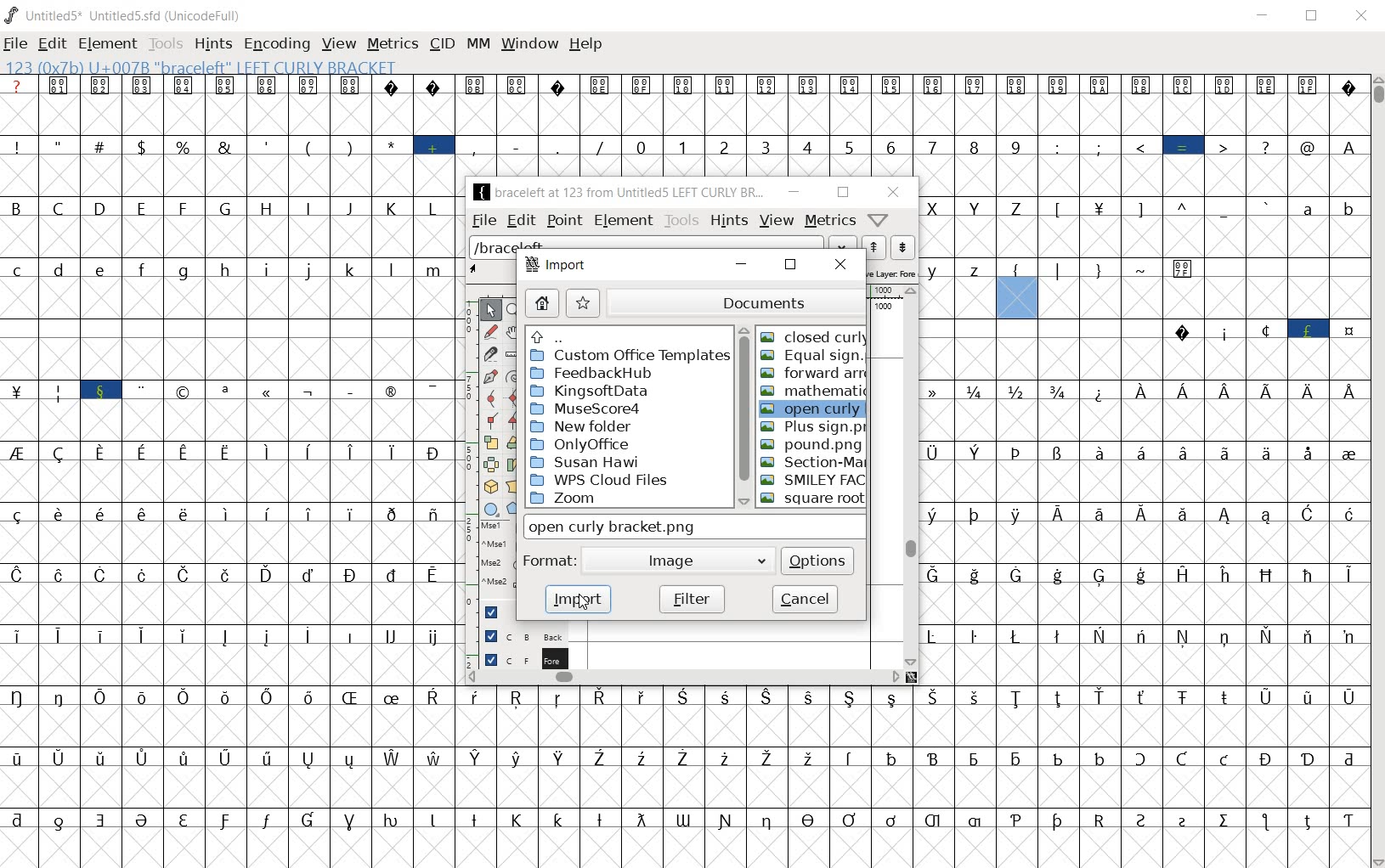  I want to click on point, so click(564, 222).